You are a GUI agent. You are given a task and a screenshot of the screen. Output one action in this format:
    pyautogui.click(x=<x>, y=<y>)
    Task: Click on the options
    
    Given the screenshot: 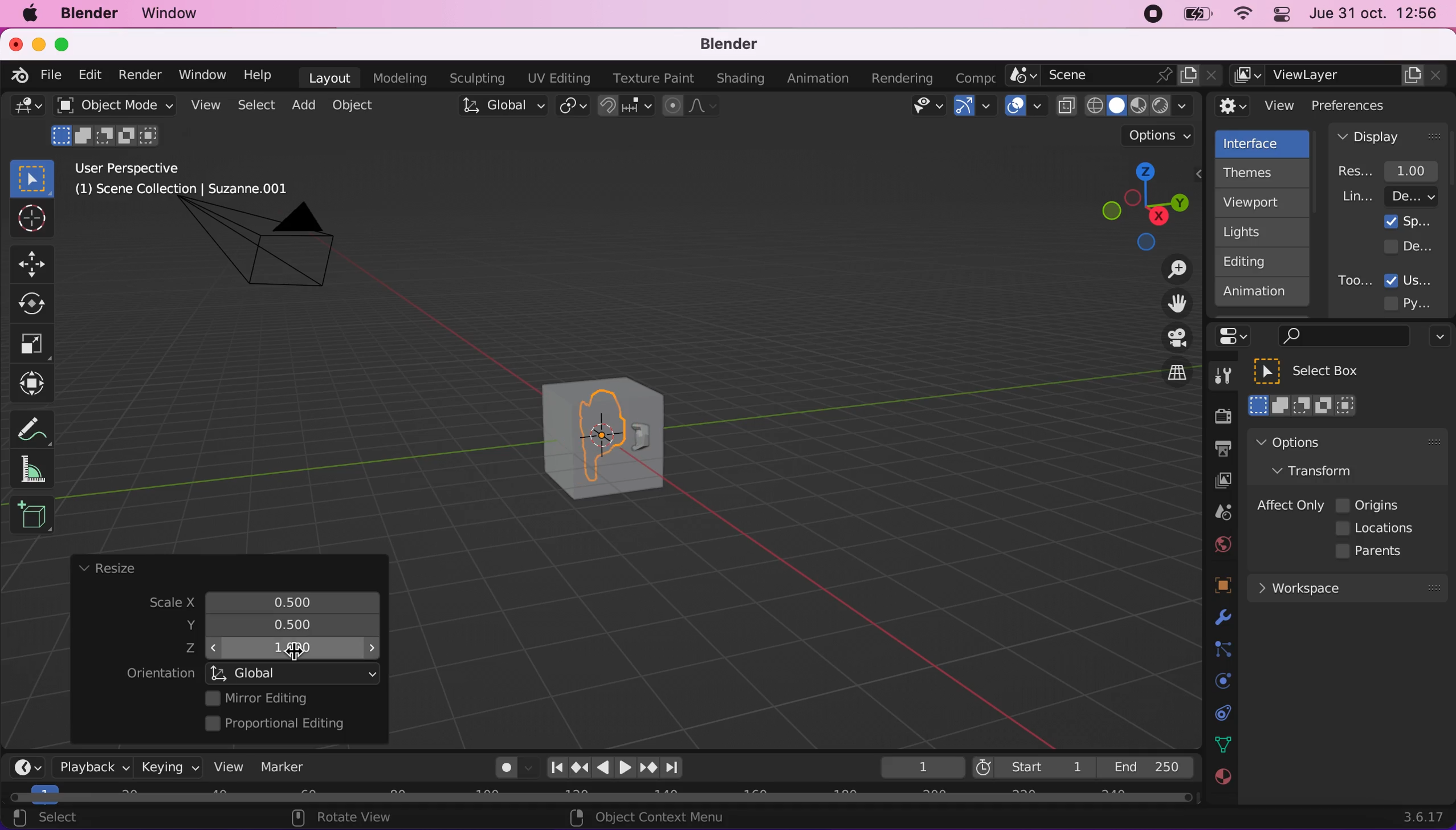 What is the action you would take?
    pyautogui.click(x=1160, y=136)
    